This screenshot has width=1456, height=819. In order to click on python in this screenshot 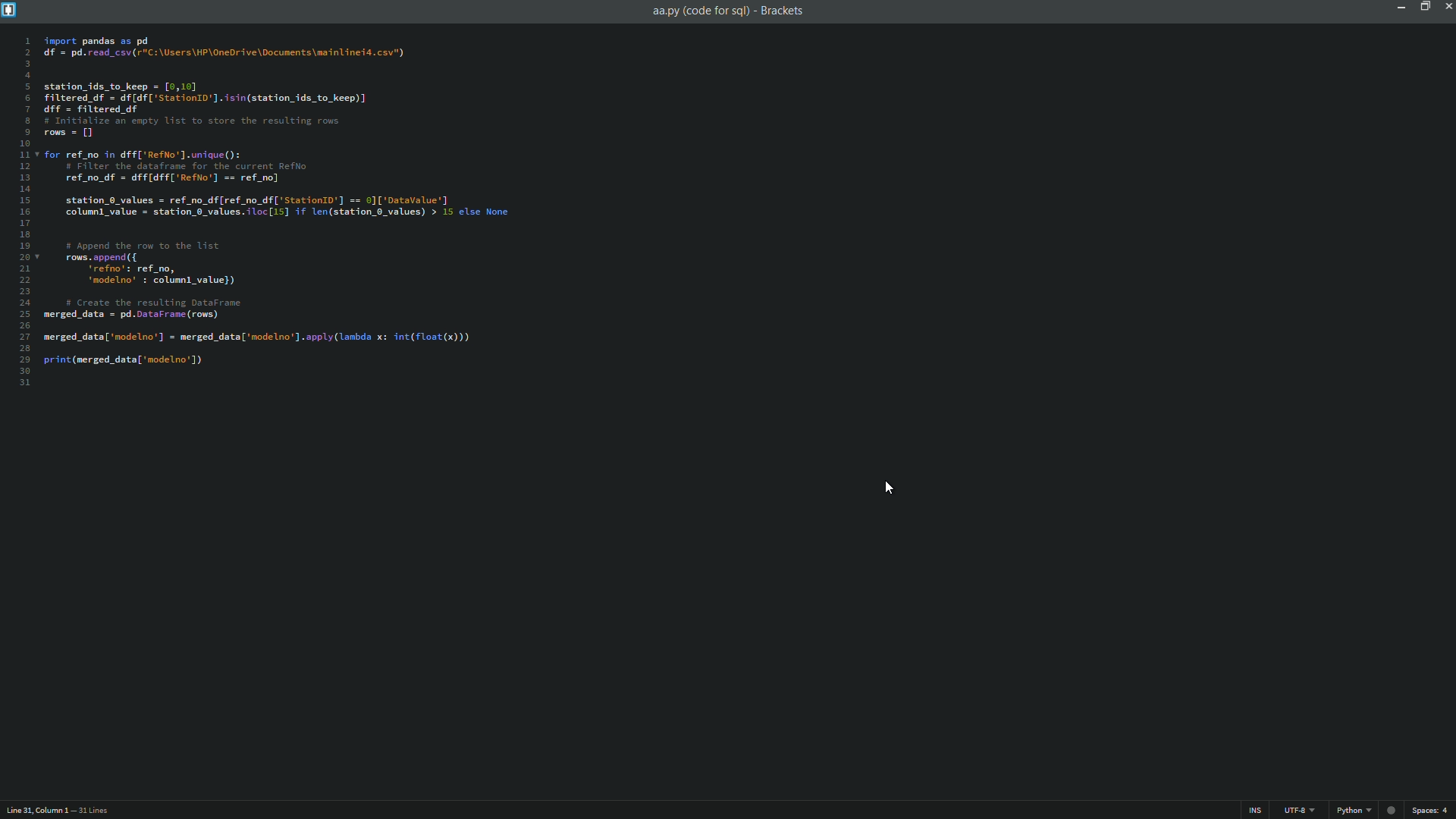, I will do `click(1369, 812)`.